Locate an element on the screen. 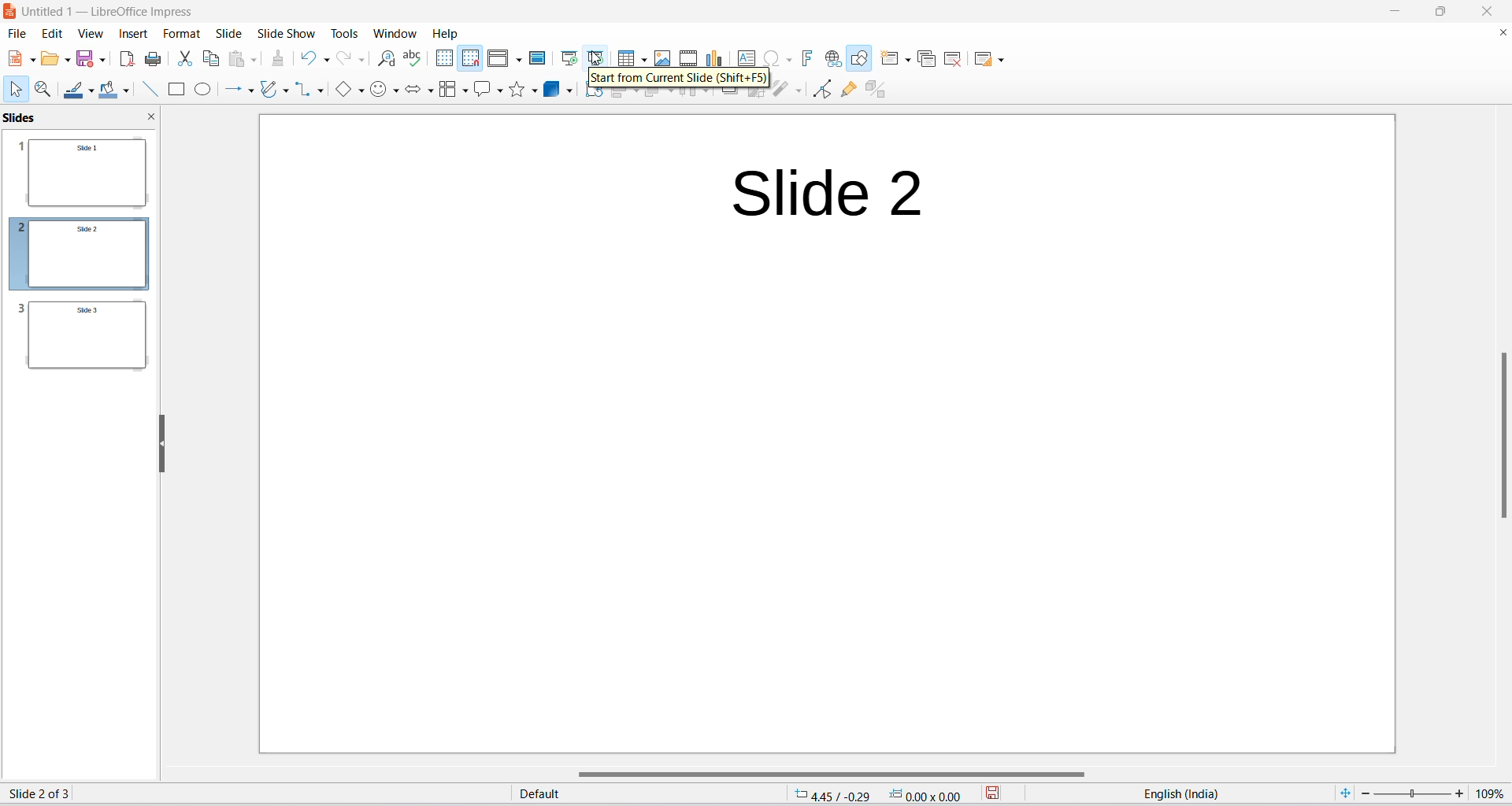 This screenshot has width=1512, height=806. curve and polygons is located at coordinates (269, 89).